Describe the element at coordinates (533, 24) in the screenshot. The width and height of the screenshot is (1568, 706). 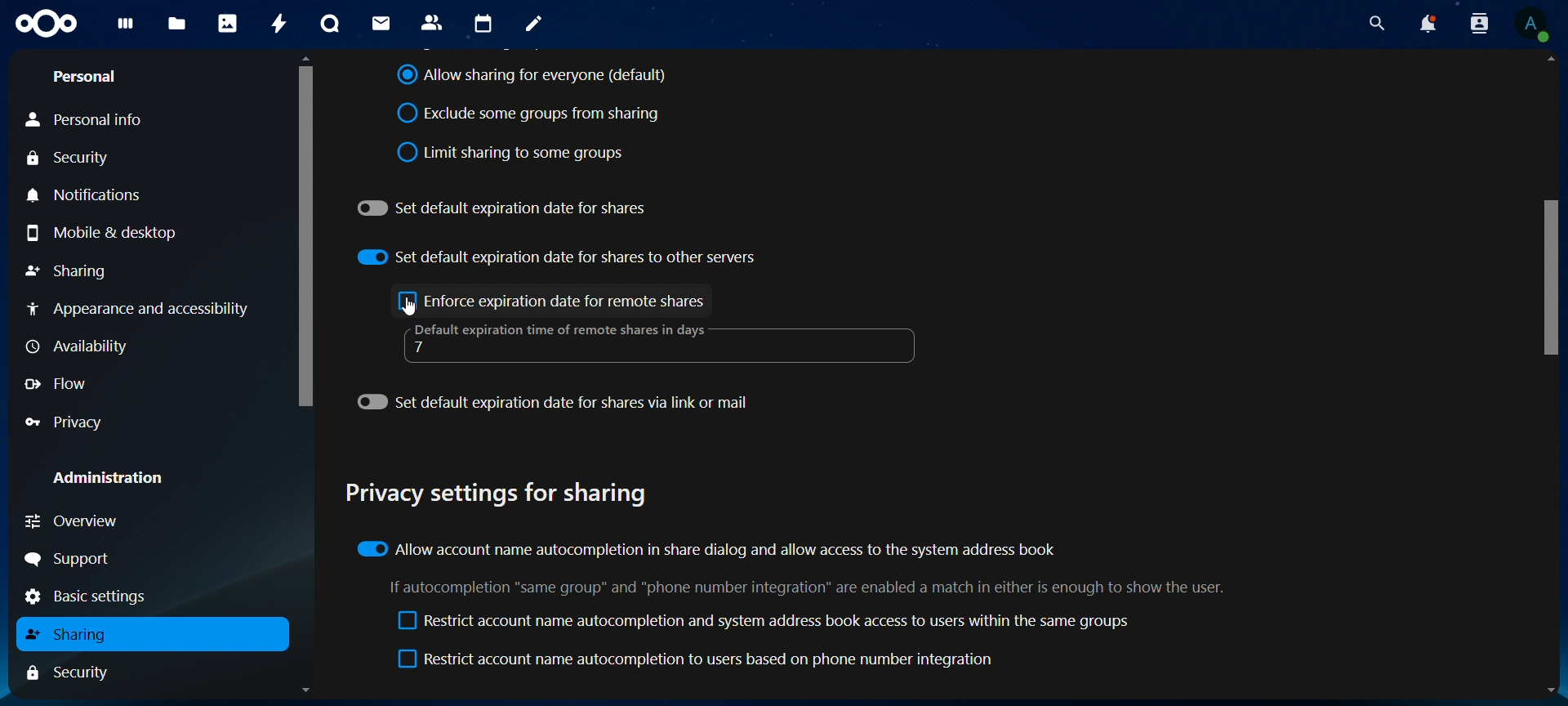
I see `notes` at that location.